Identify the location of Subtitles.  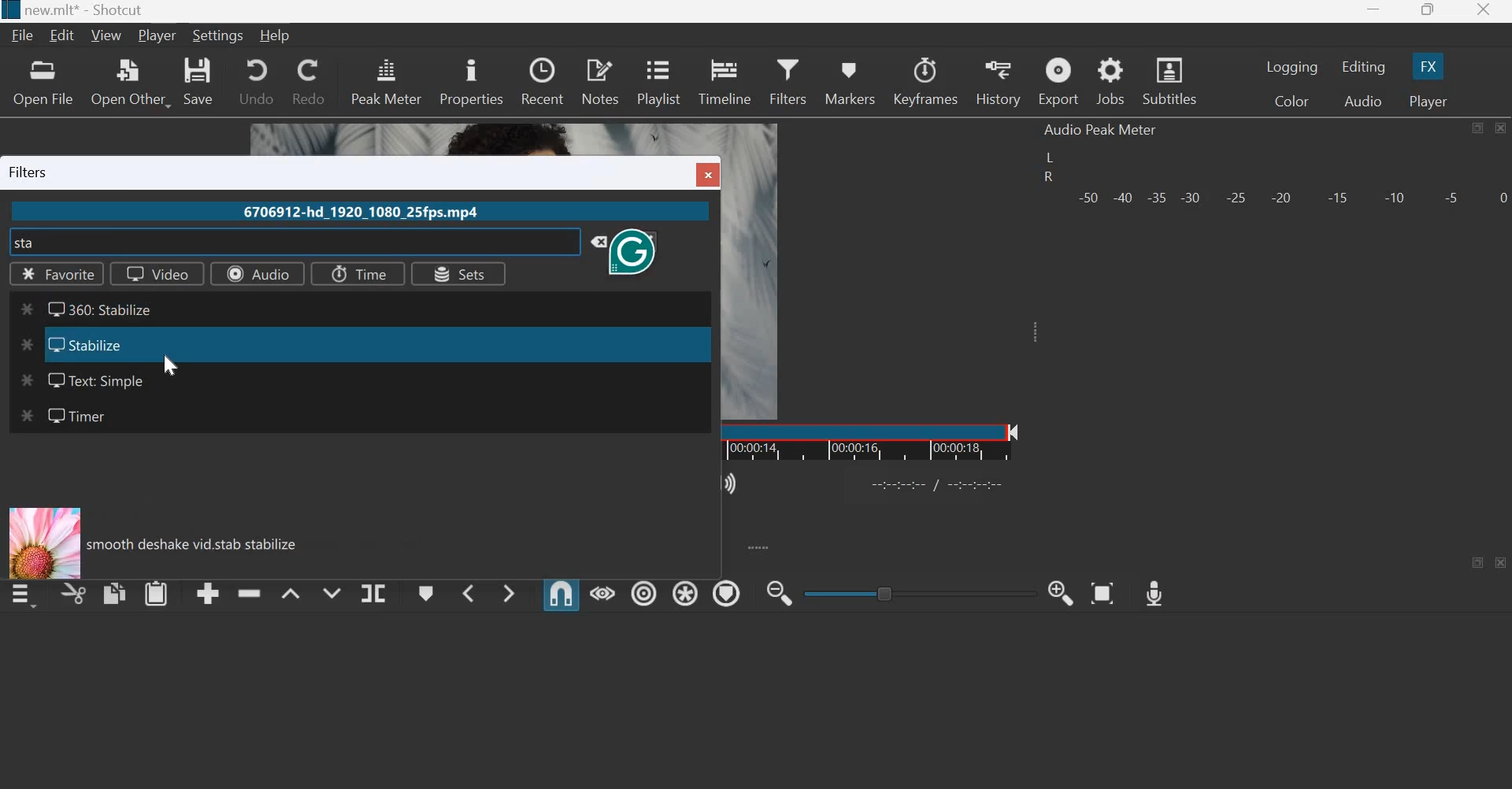
(1169, 80).